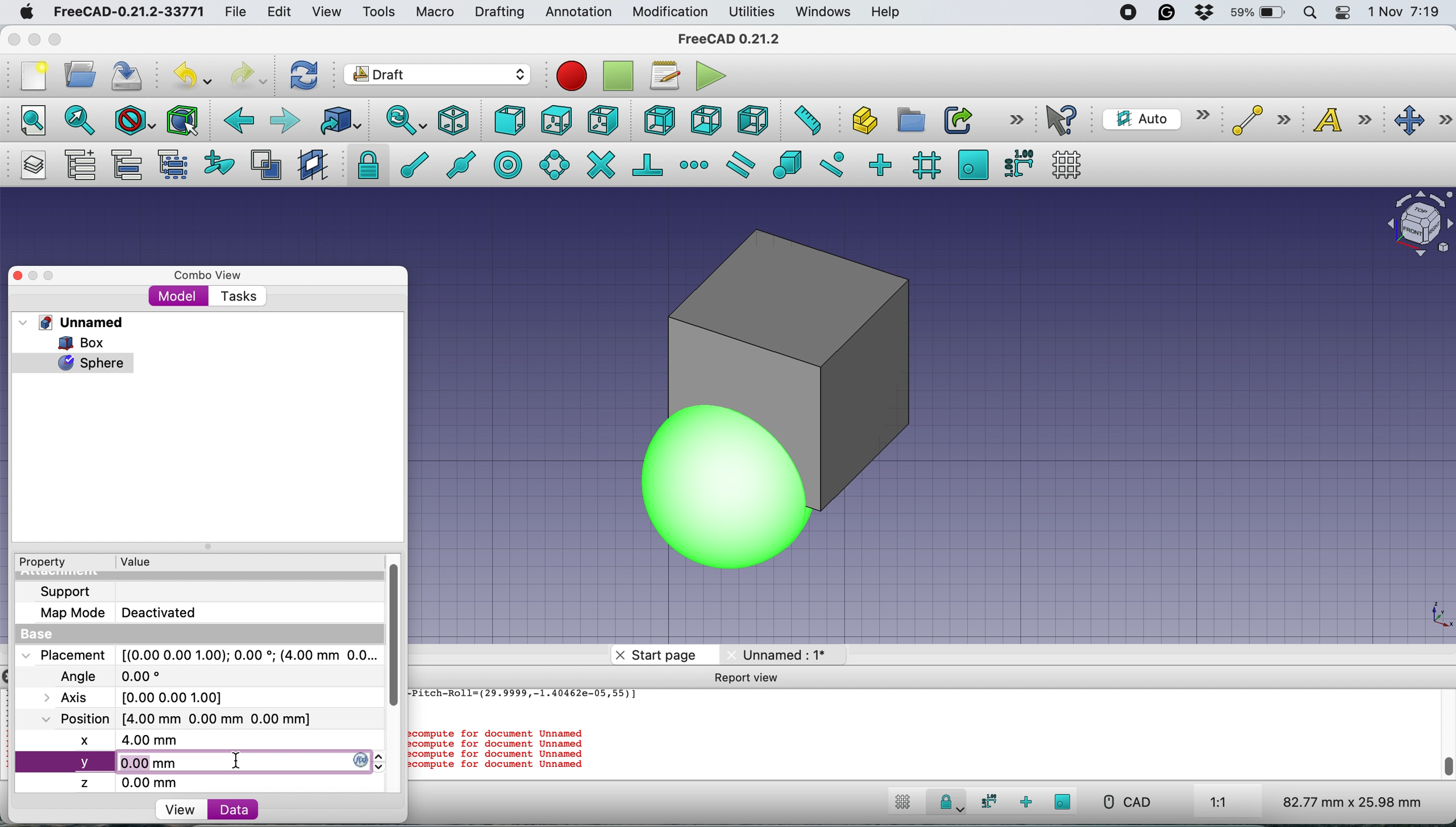 Image resolution: width=1456 pixels, height=827 pixels. What do you see at coordinates (738, 39) in the screenshot?
I see `freecad` at bounding box center [738, 39].